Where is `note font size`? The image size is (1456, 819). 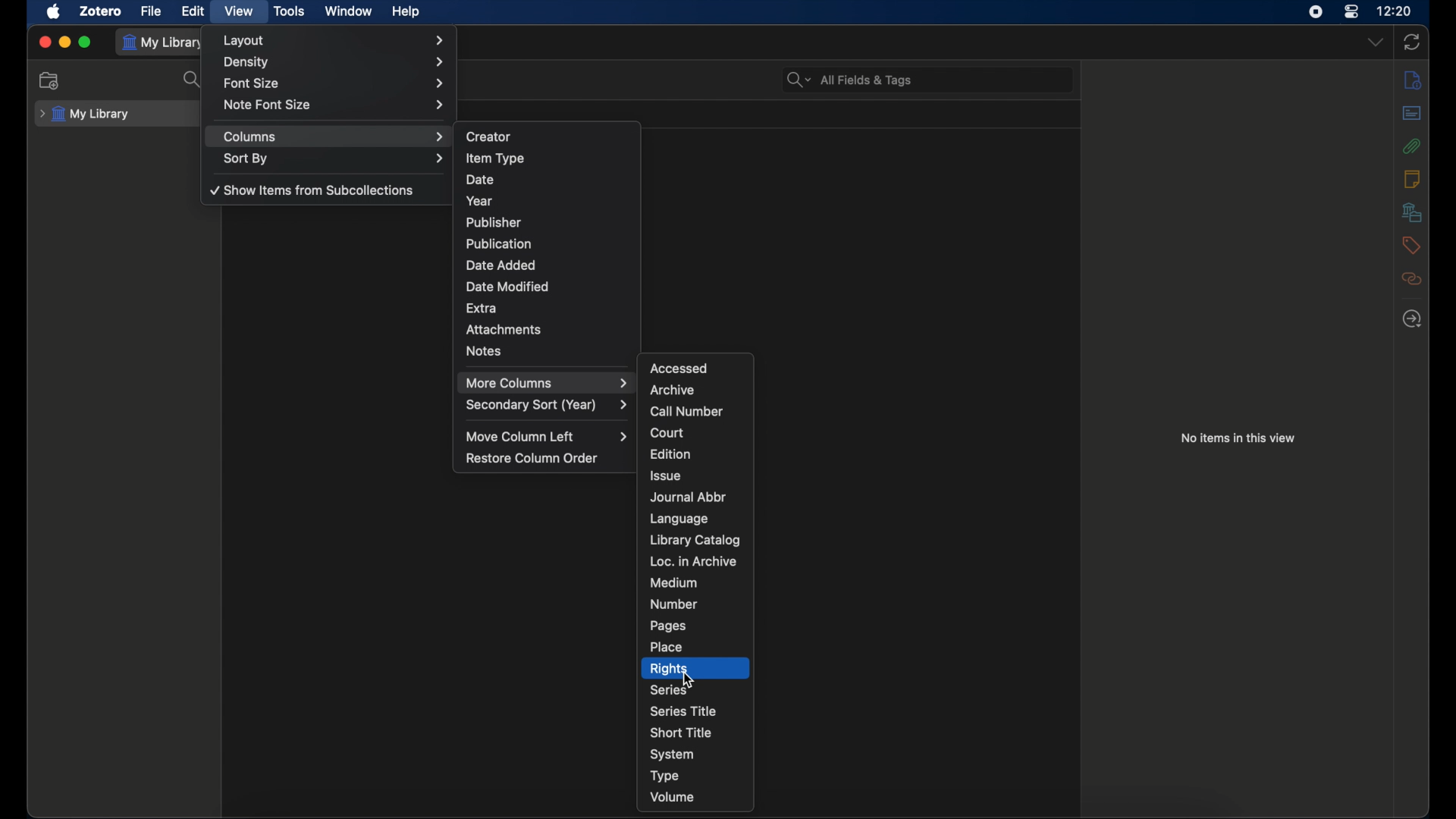 note font size is located at coordinates (335, 105).